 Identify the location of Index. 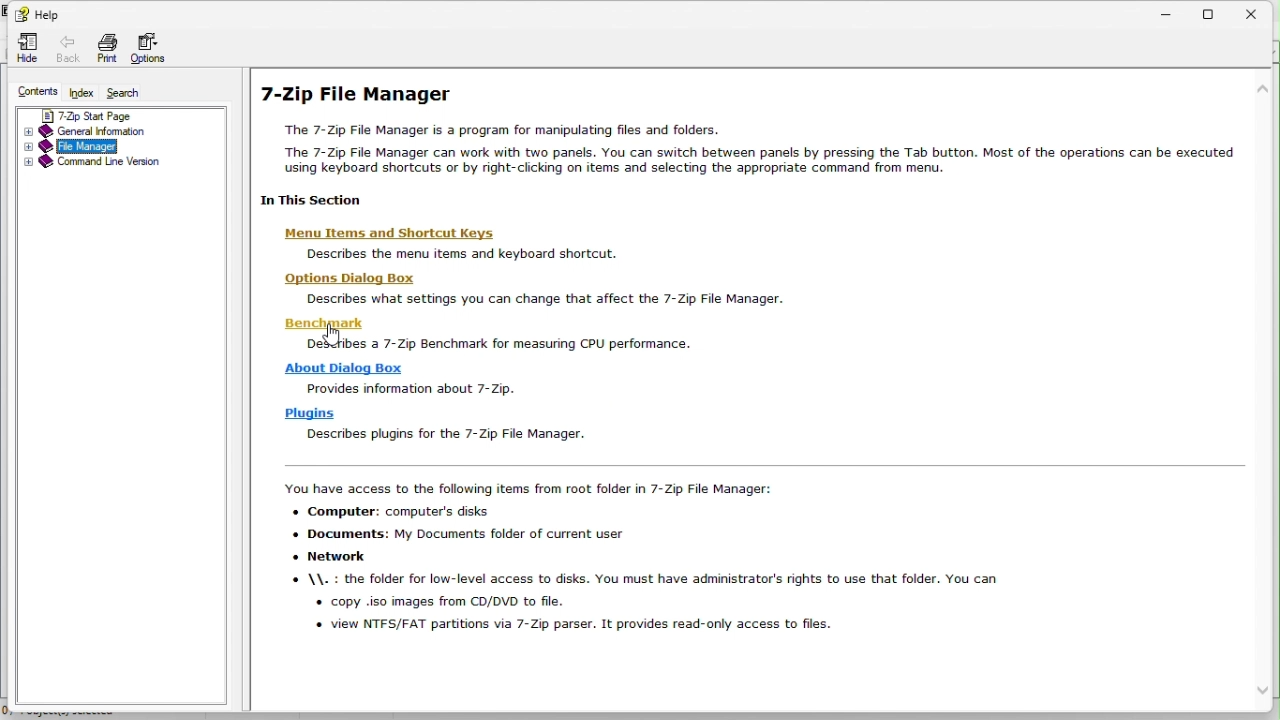
(82, 91).